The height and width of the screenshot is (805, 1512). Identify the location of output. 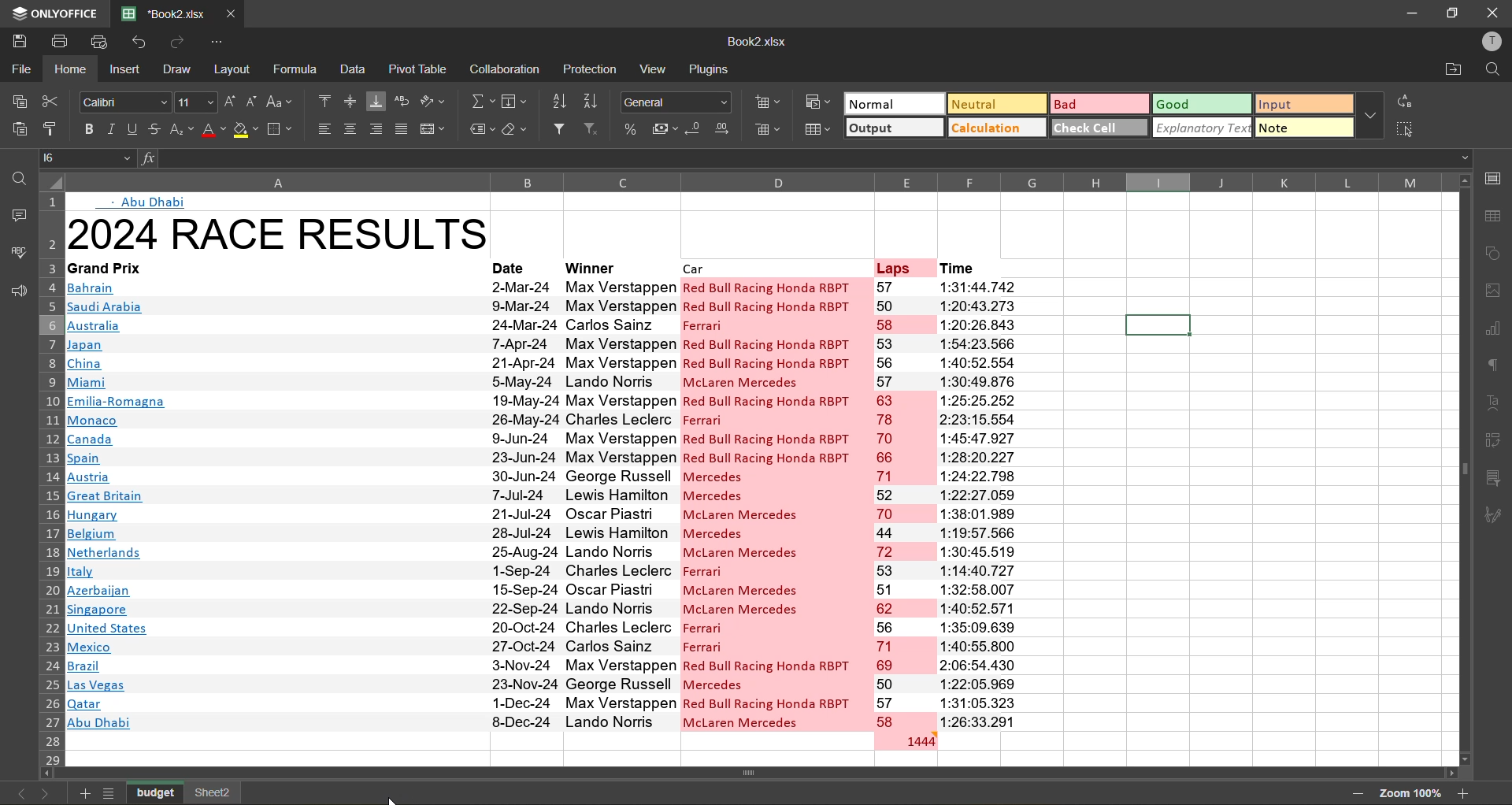
(890, 128).